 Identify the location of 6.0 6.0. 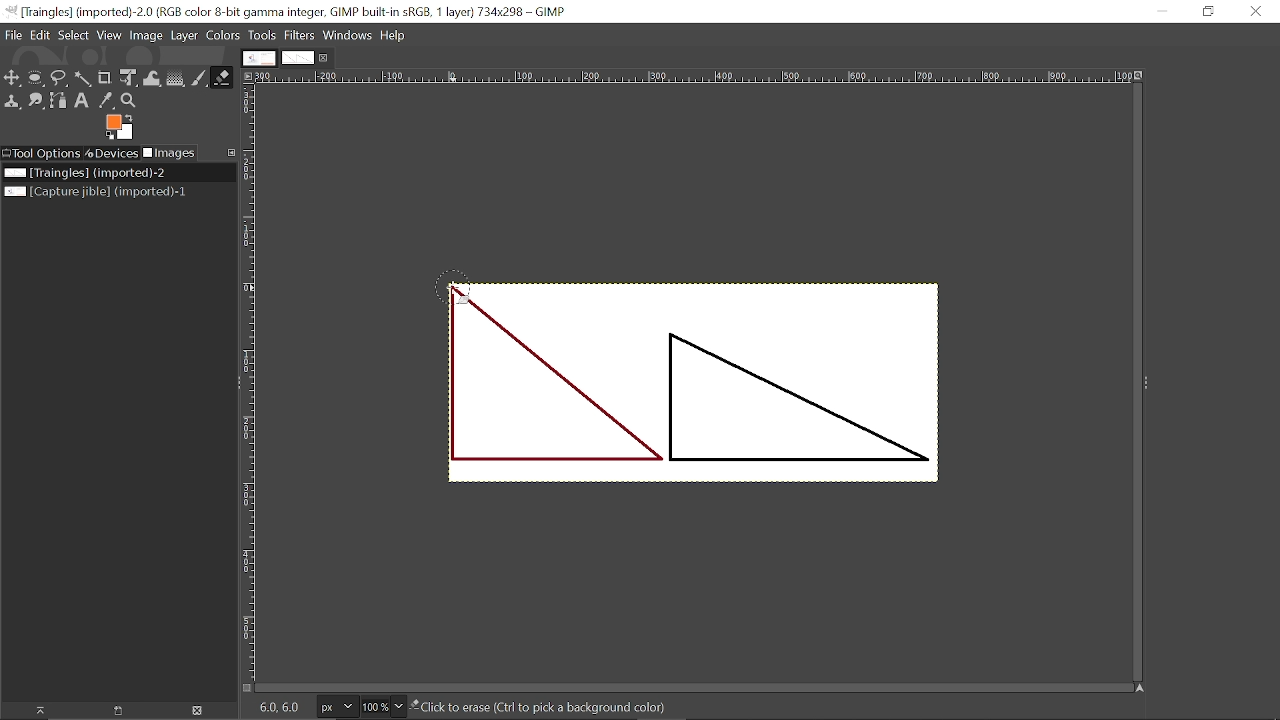
(283, 707).